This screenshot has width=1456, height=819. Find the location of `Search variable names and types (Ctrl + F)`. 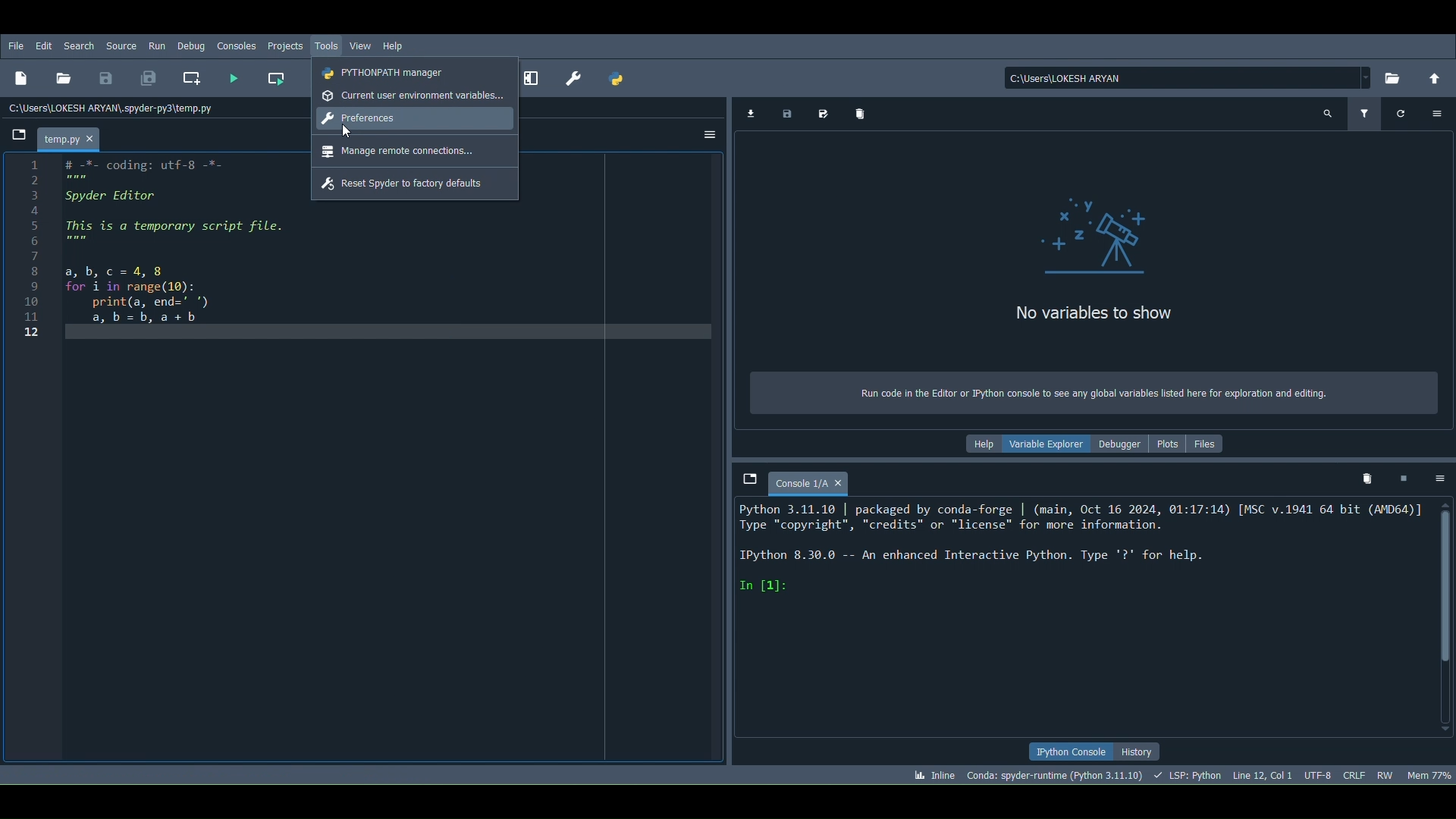

Search variable names and types (Ctrl + F) is located at coordinates (1329, 114).